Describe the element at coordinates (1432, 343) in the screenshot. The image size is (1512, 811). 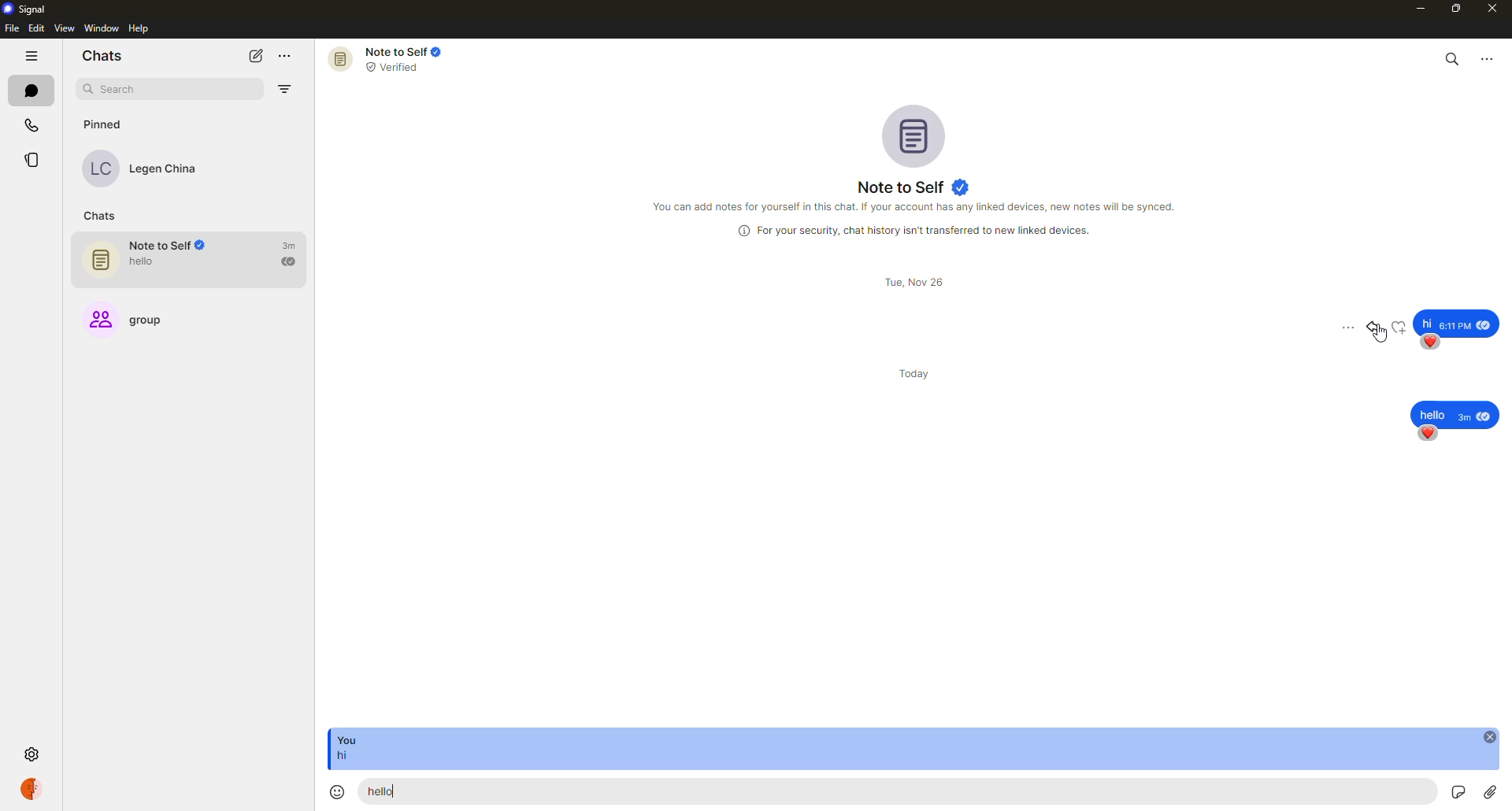
I see `reaction` at that location.